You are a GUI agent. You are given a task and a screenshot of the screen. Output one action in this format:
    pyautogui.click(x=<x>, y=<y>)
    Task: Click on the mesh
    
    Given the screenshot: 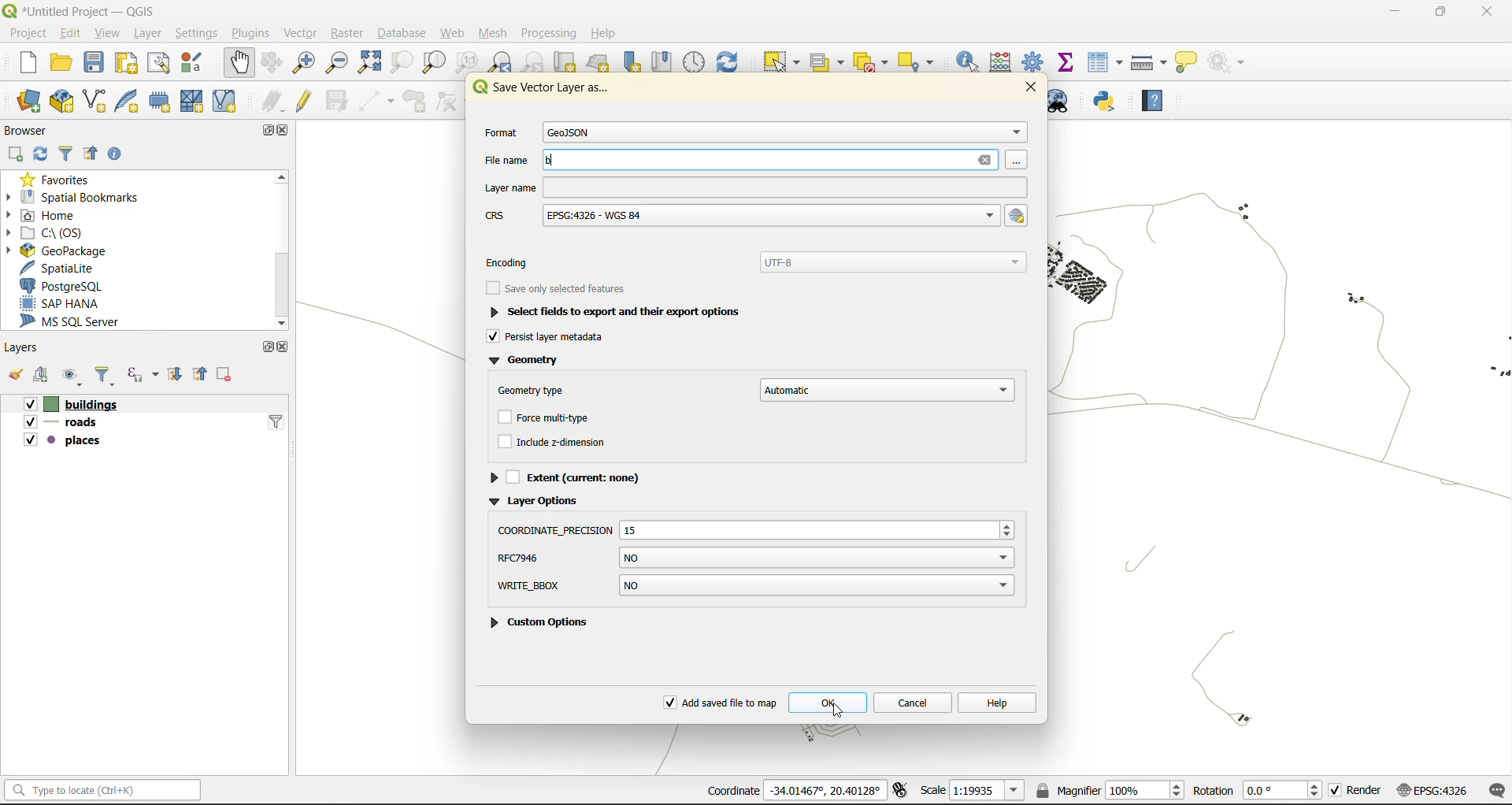 What is the action you would take?
    pyautogui.click(x=493, y=33)
    